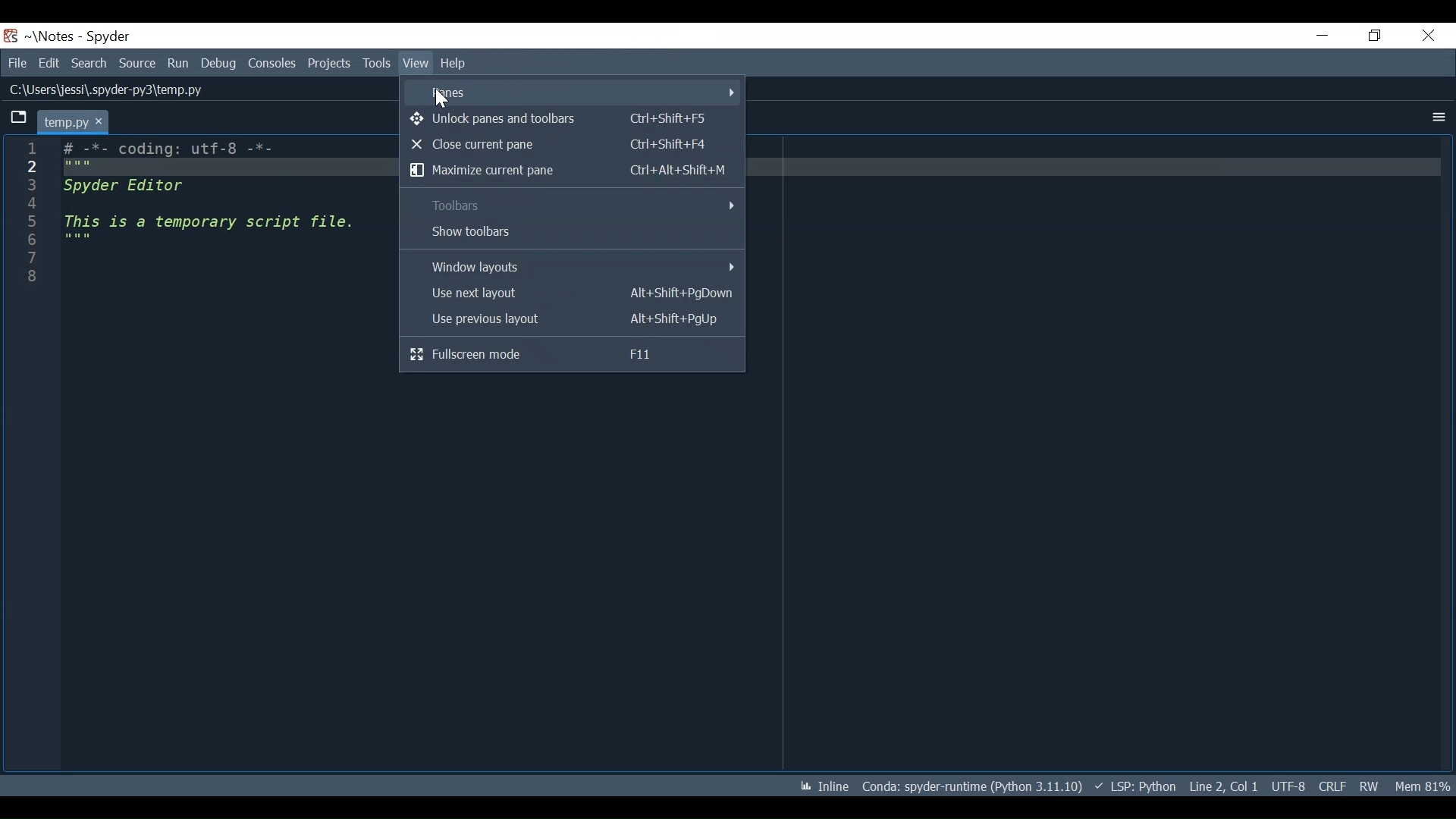  I want to click on CRLF, so click(1332, 786).